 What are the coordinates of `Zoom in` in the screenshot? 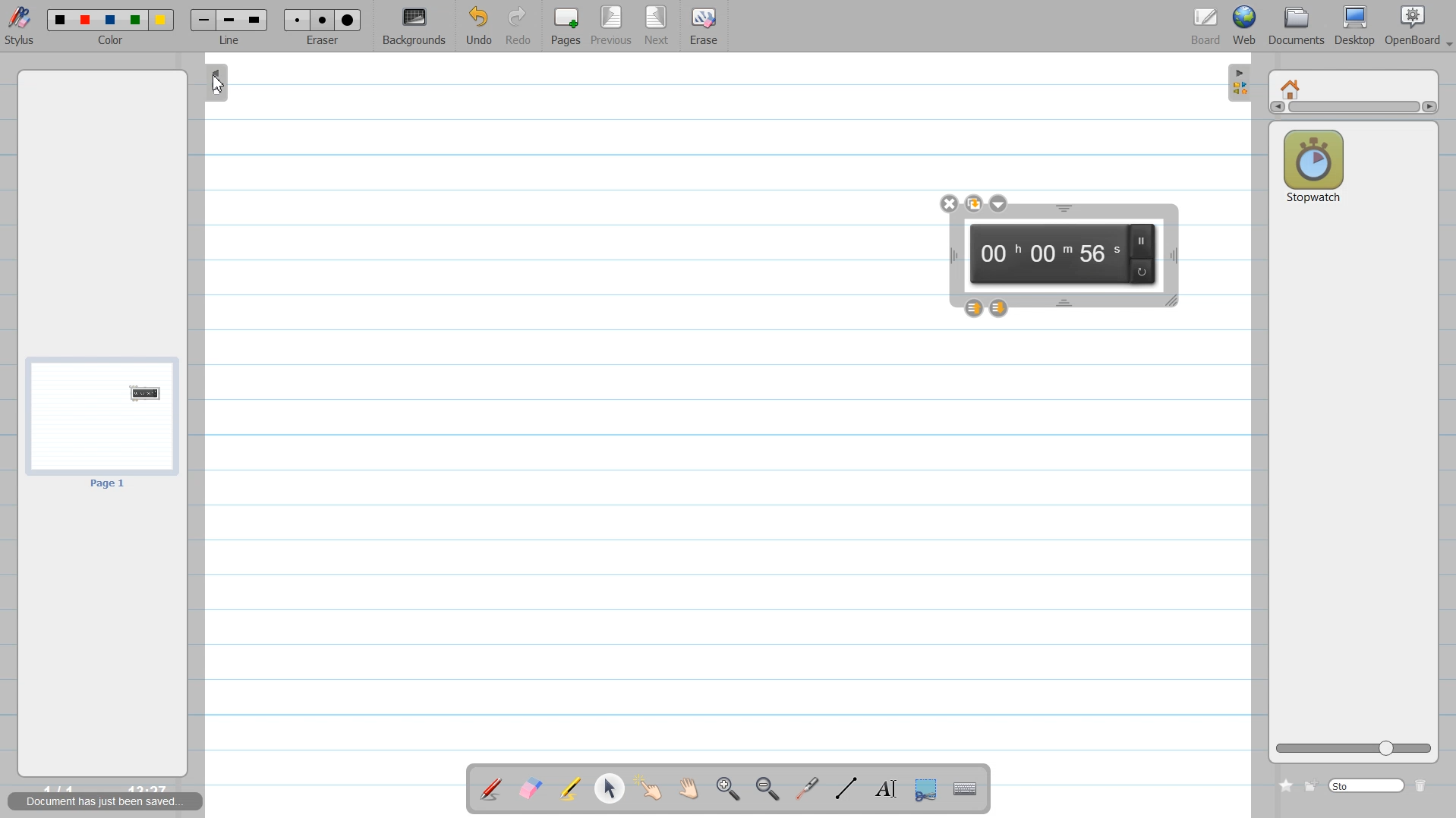 It's located at (729, 789).